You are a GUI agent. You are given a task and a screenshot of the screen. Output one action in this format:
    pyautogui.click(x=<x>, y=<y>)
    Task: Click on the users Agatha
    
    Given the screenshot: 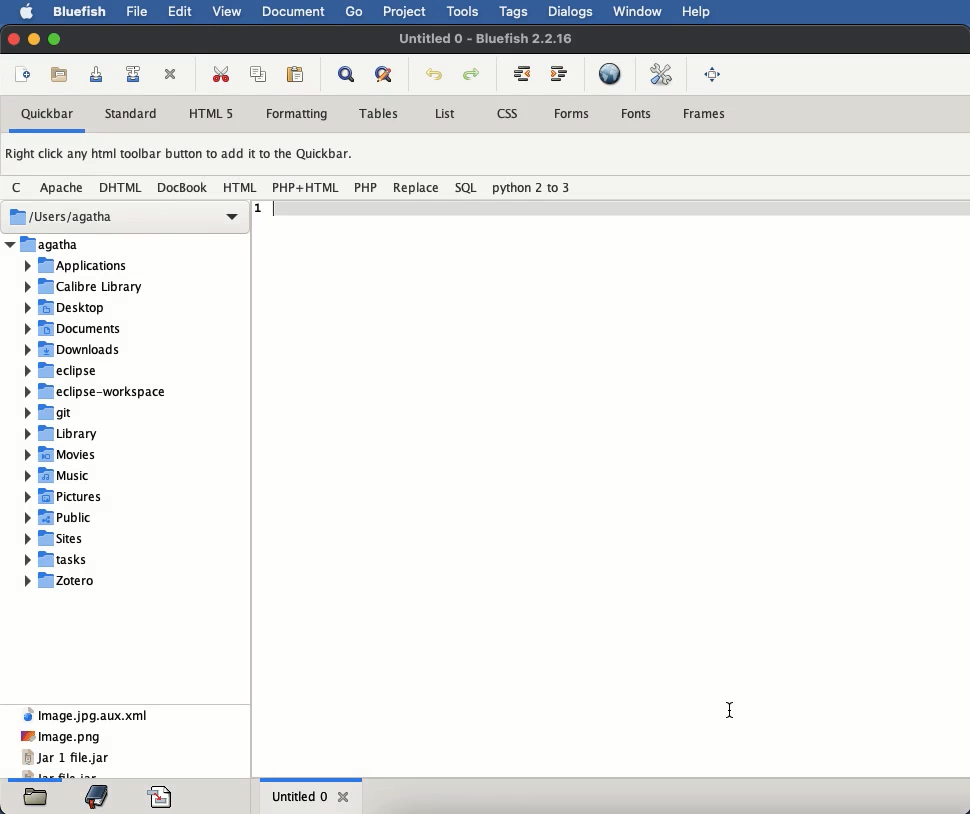 What is the action you would take?
    pyautogui.click(x=123, y=212)
    